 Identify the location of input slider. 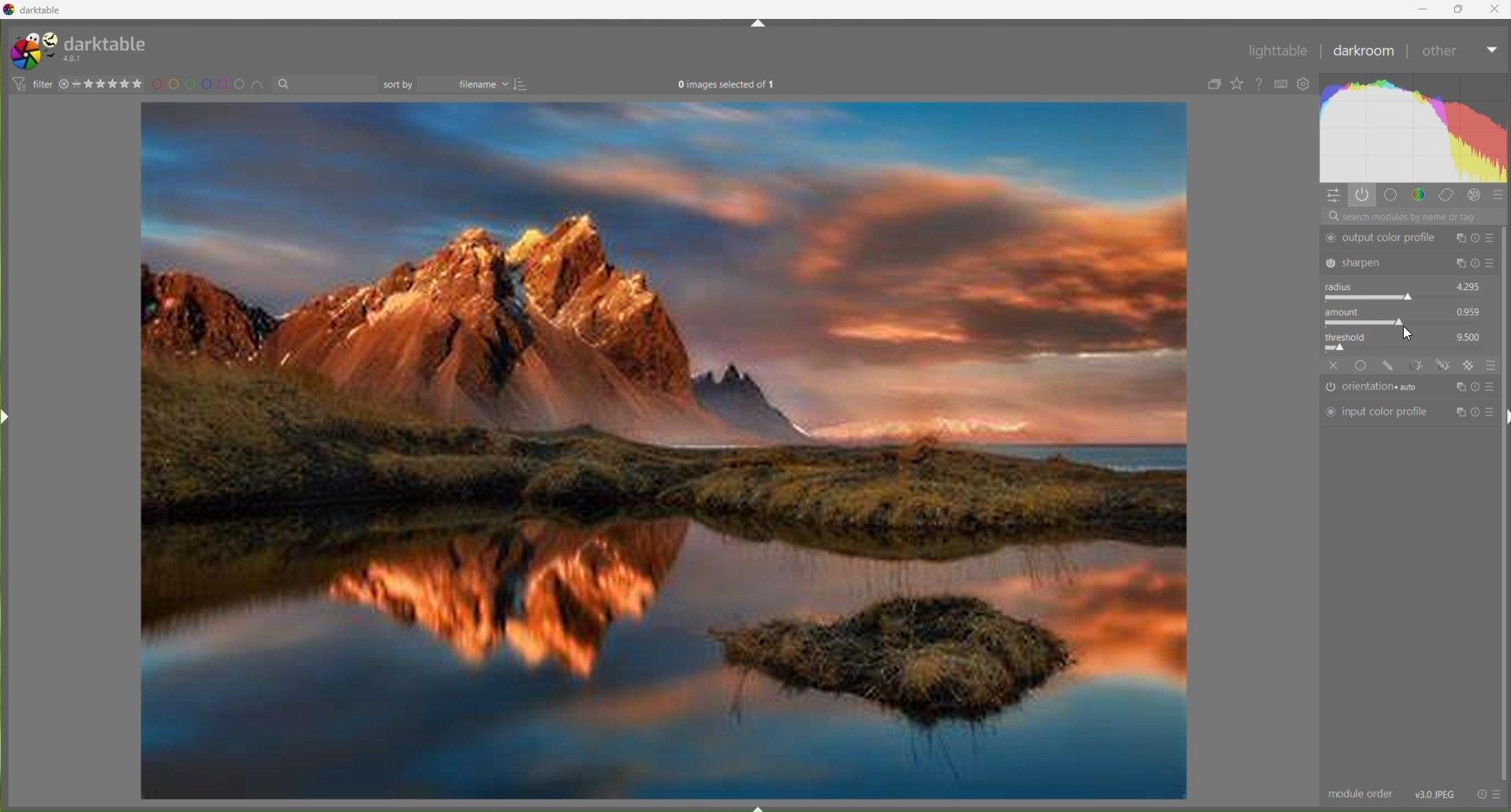
(1408, 348).